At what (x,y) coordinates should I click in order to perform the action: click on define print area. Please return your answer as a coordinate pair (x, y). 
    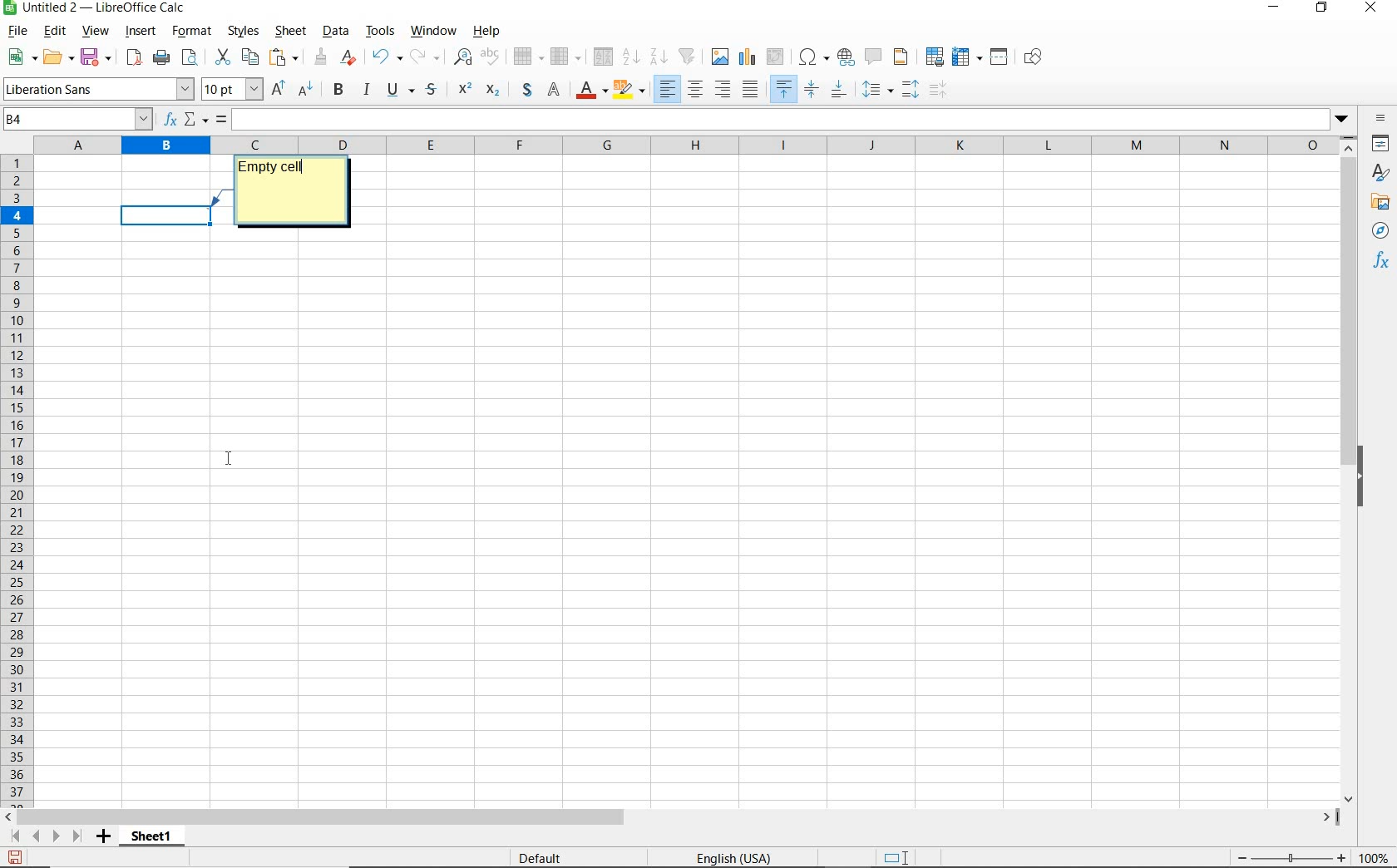
    Looking at the image, I should click on (935, 56).